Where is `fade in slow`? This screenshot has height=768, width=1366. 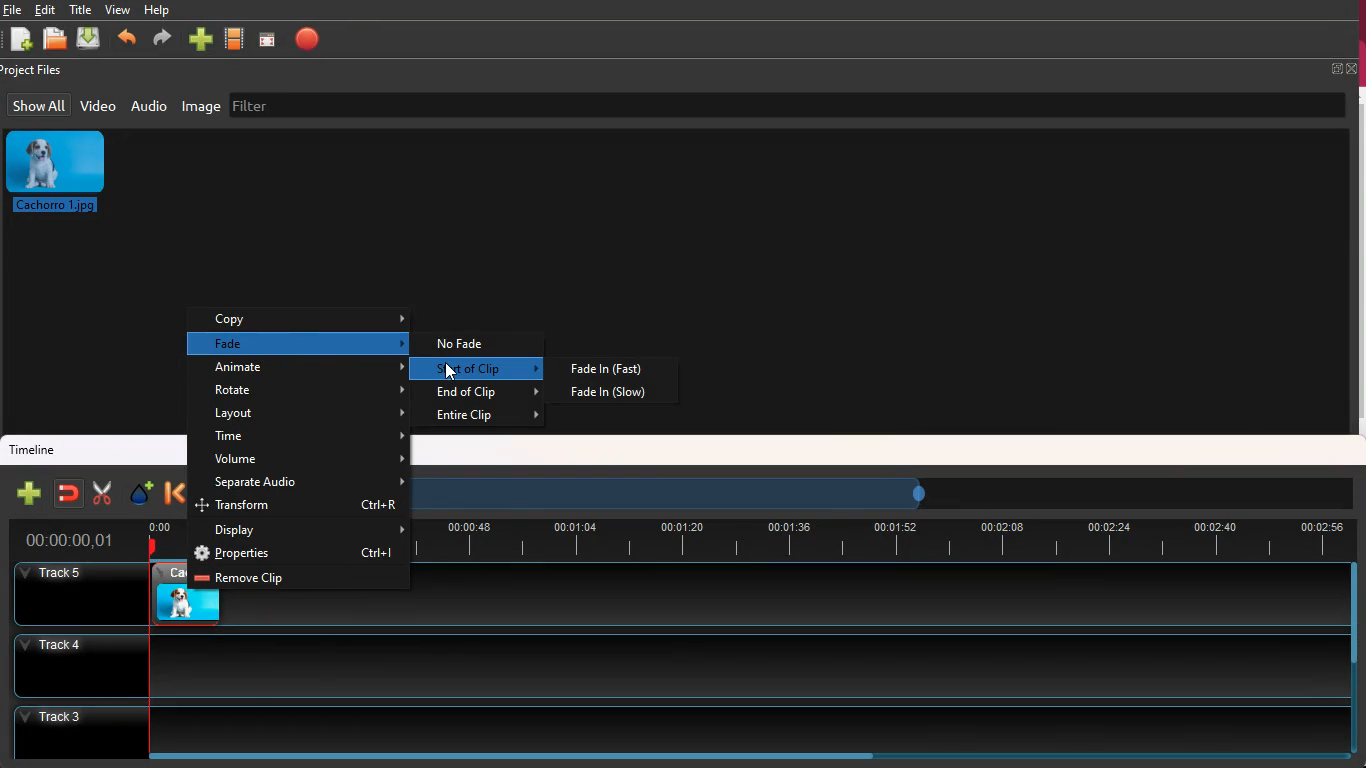 fade in slow is located at coordinates (619, 394).